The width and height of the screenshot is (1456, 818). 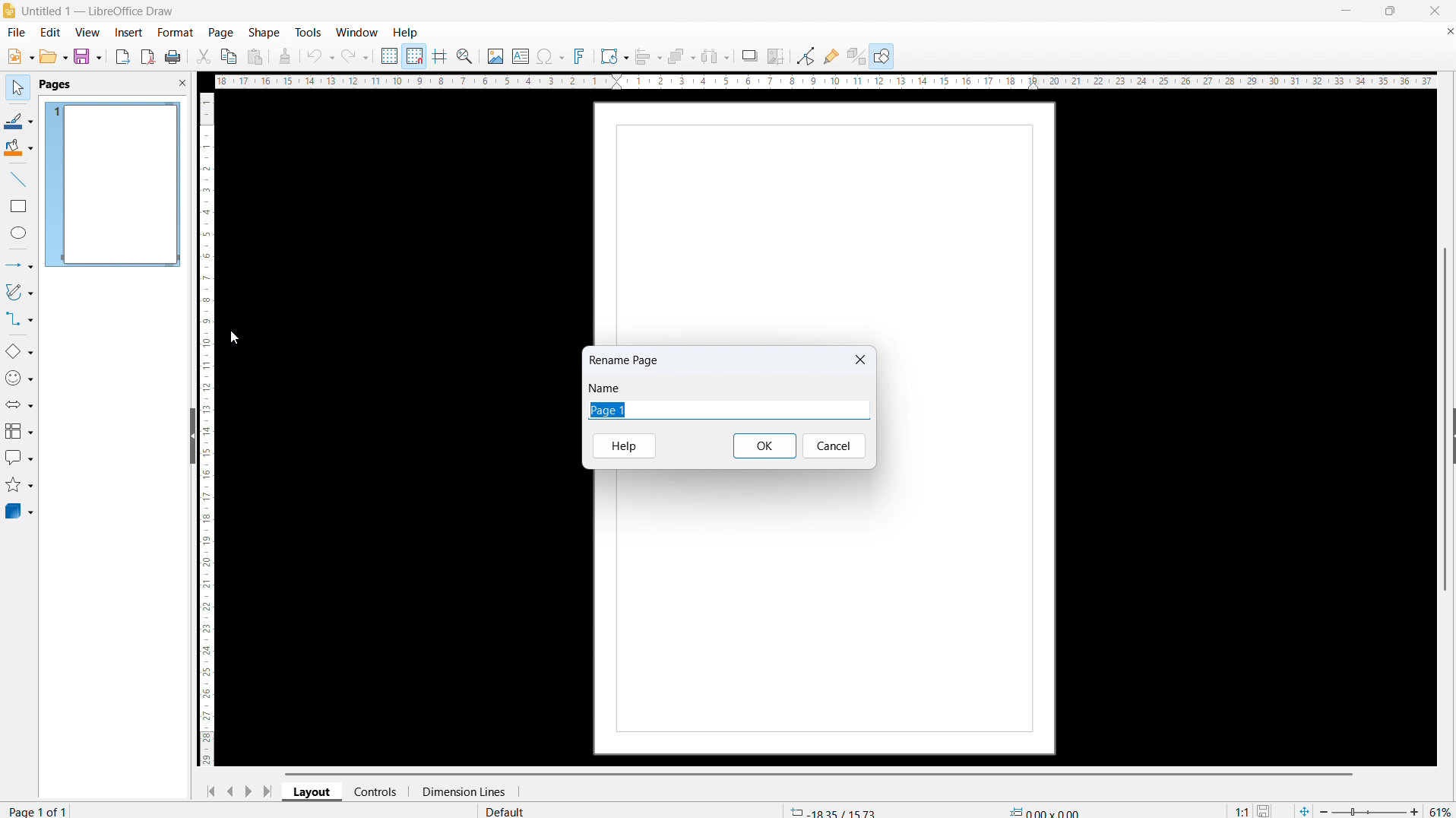 What do you see at coordinates (182, 82) in the screenshot?
I see `close pane` at bounding box center [182, 82].